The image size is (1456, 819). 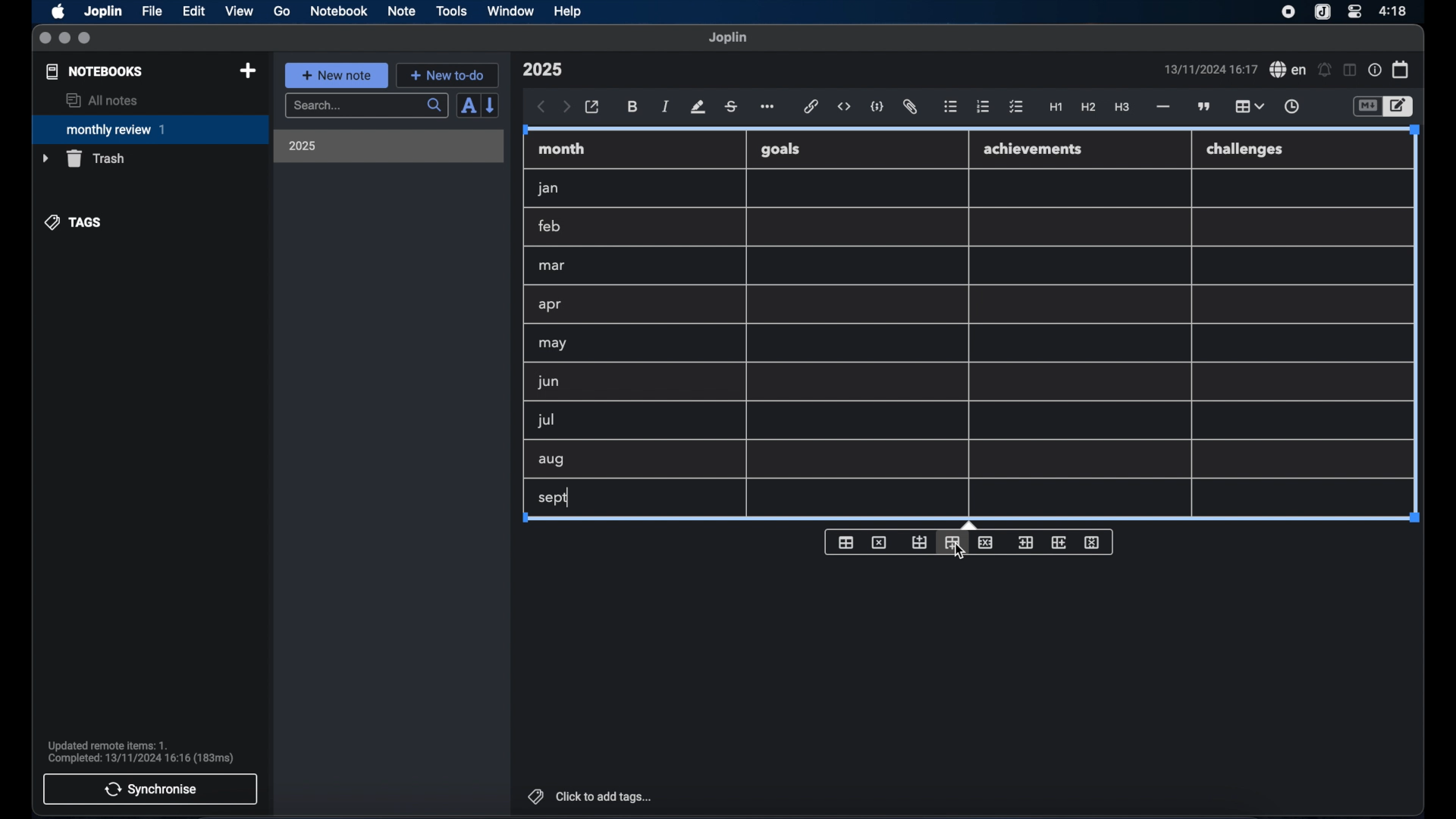 What do you see at coordinates (239, 11) in the screenshot?
I see `view` at bounding box center [239, 11].